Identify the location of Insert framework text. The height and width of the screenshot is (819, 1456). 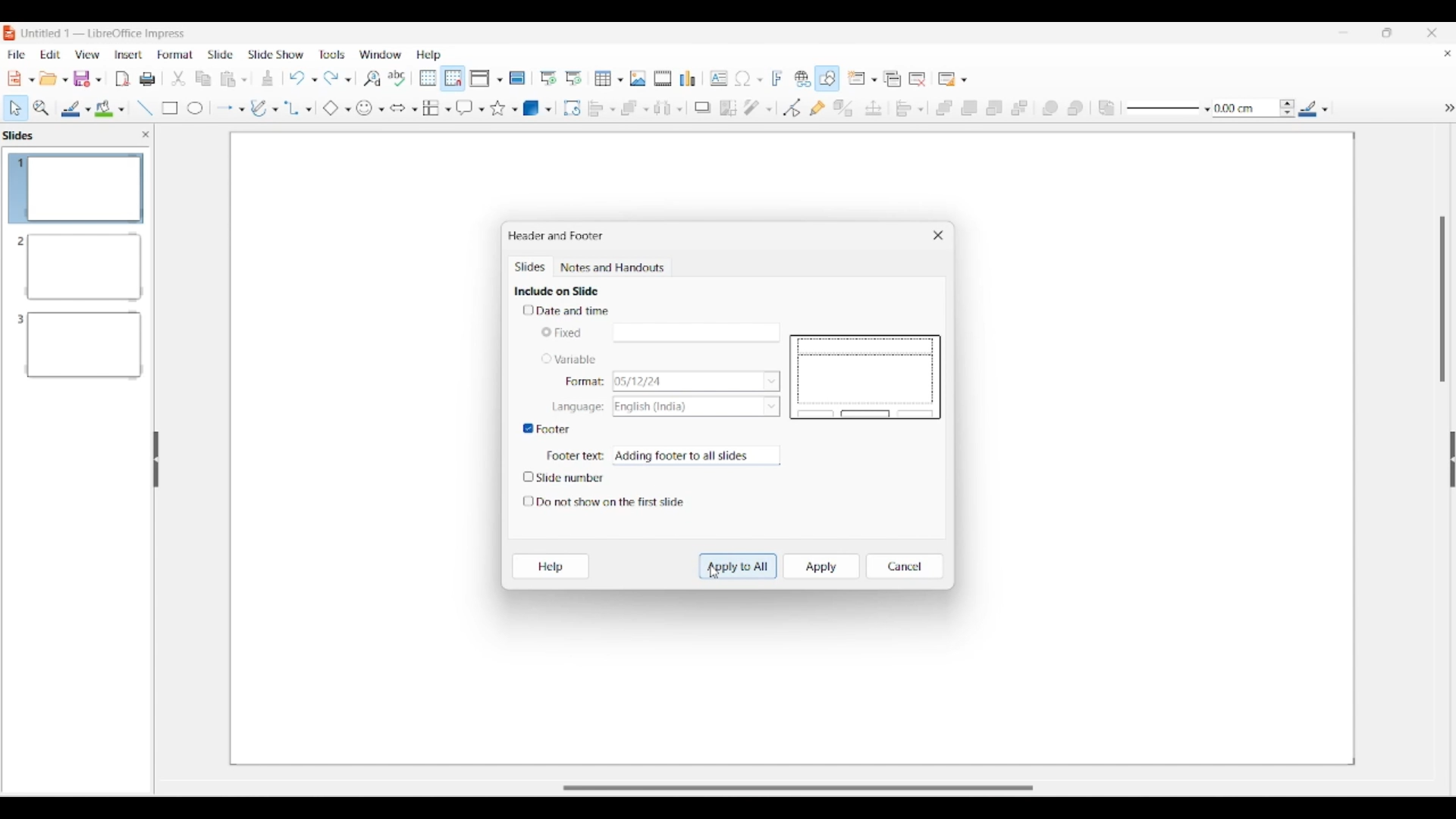
(777, 78).